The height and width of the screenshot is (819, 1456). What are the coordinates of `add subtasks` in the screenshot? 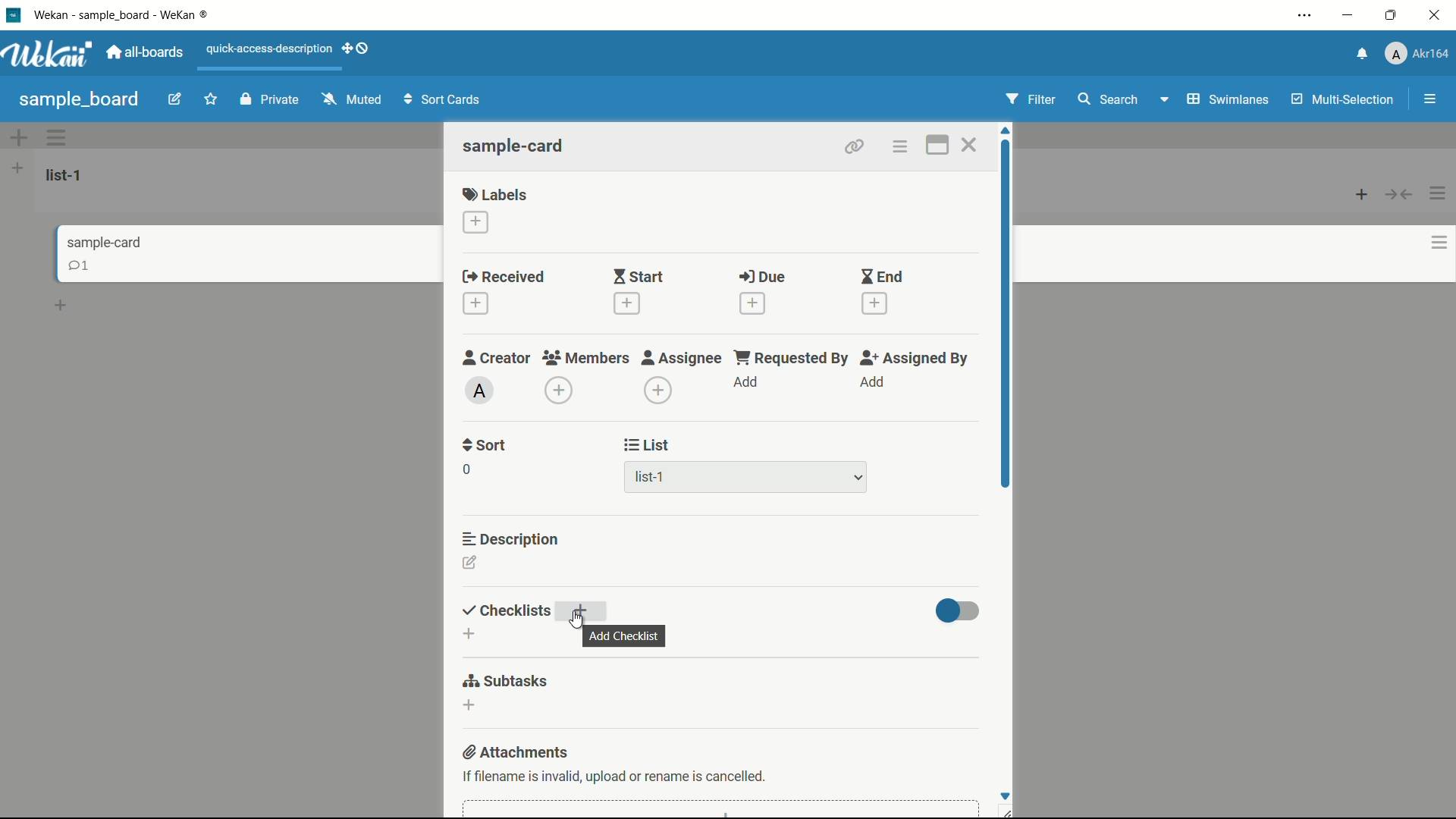 It's located at (470, 705).